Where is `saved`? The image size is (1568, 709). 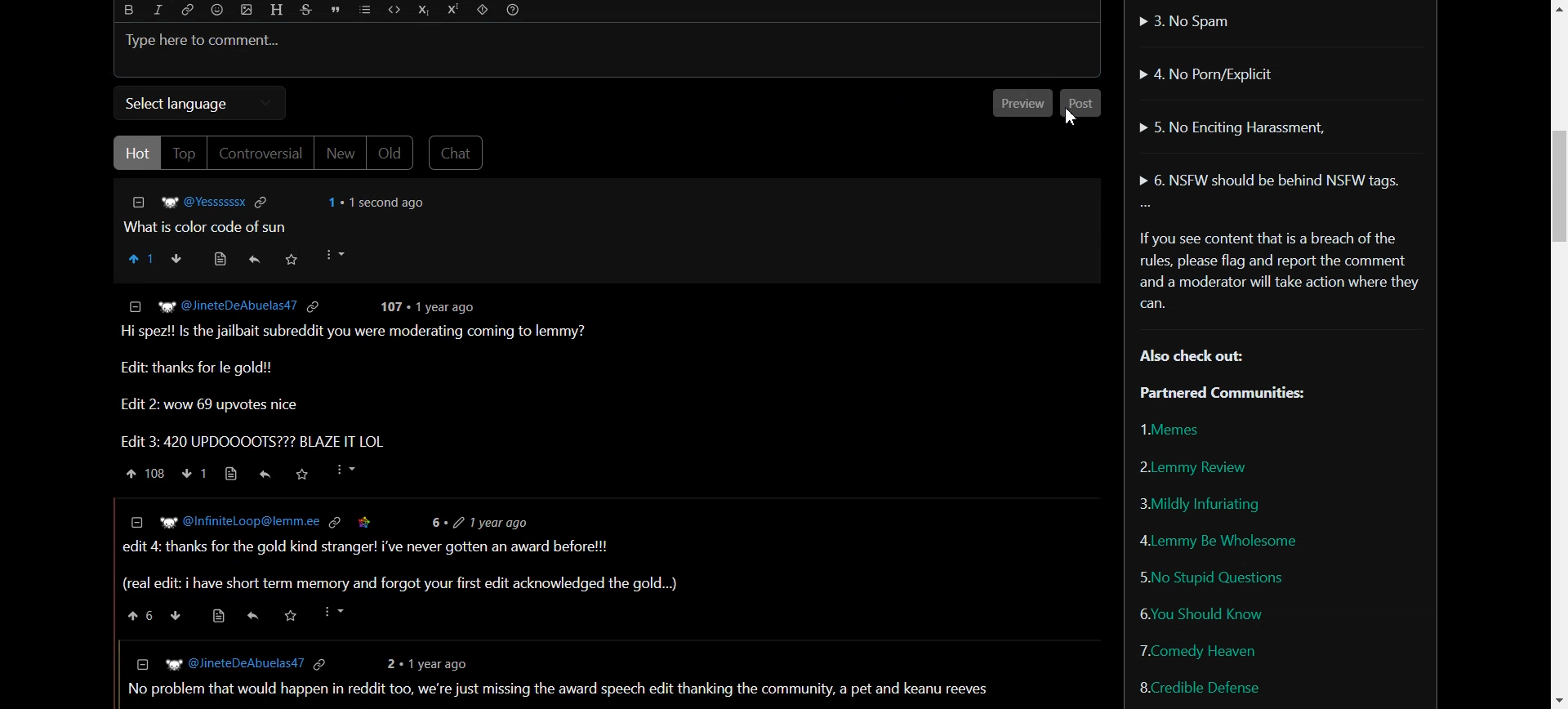
saved is located at coordinates (298, 616).